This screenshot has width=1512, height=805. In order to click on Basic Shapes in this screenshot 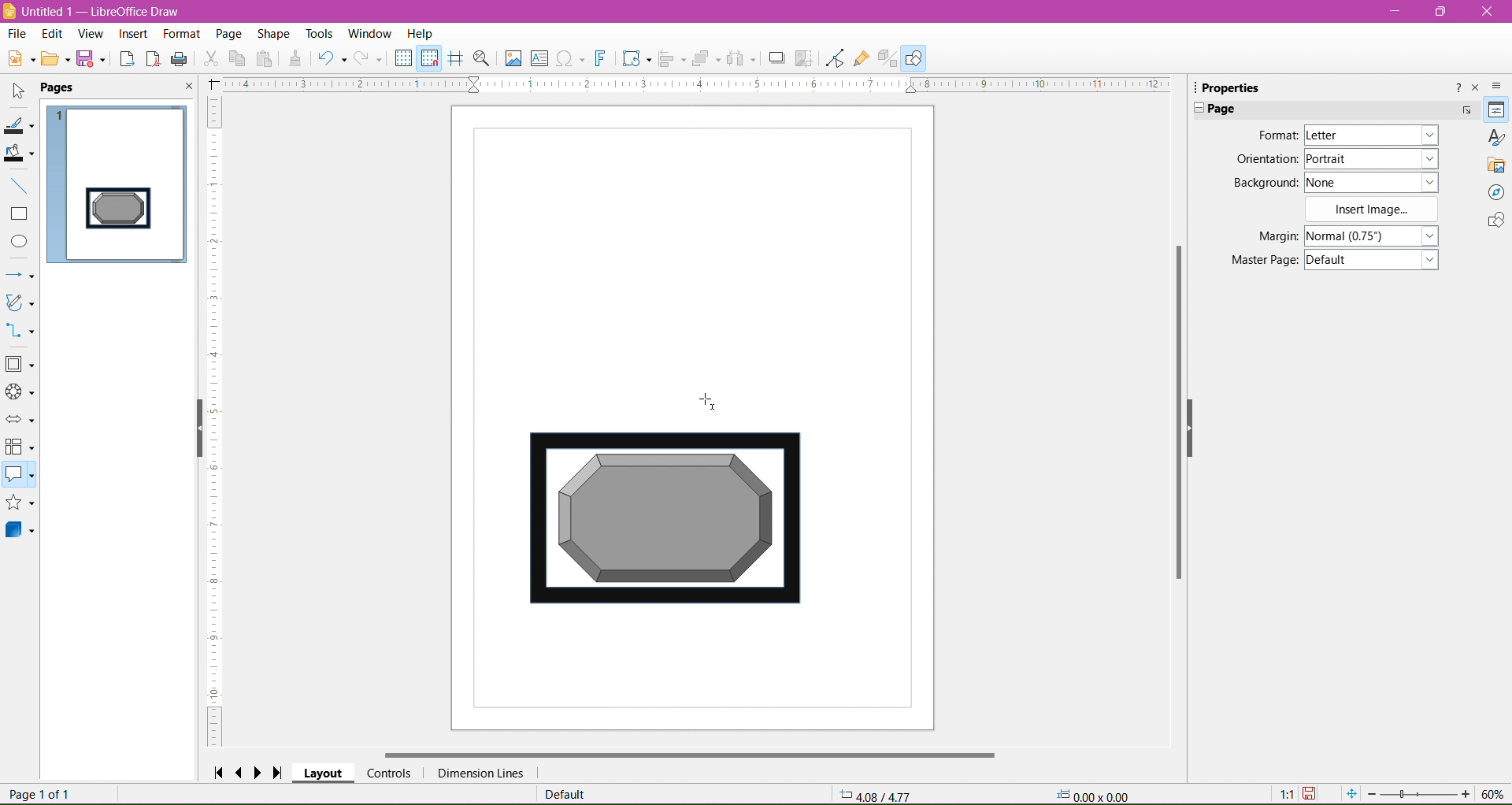, I will do `click(21, 365)`.